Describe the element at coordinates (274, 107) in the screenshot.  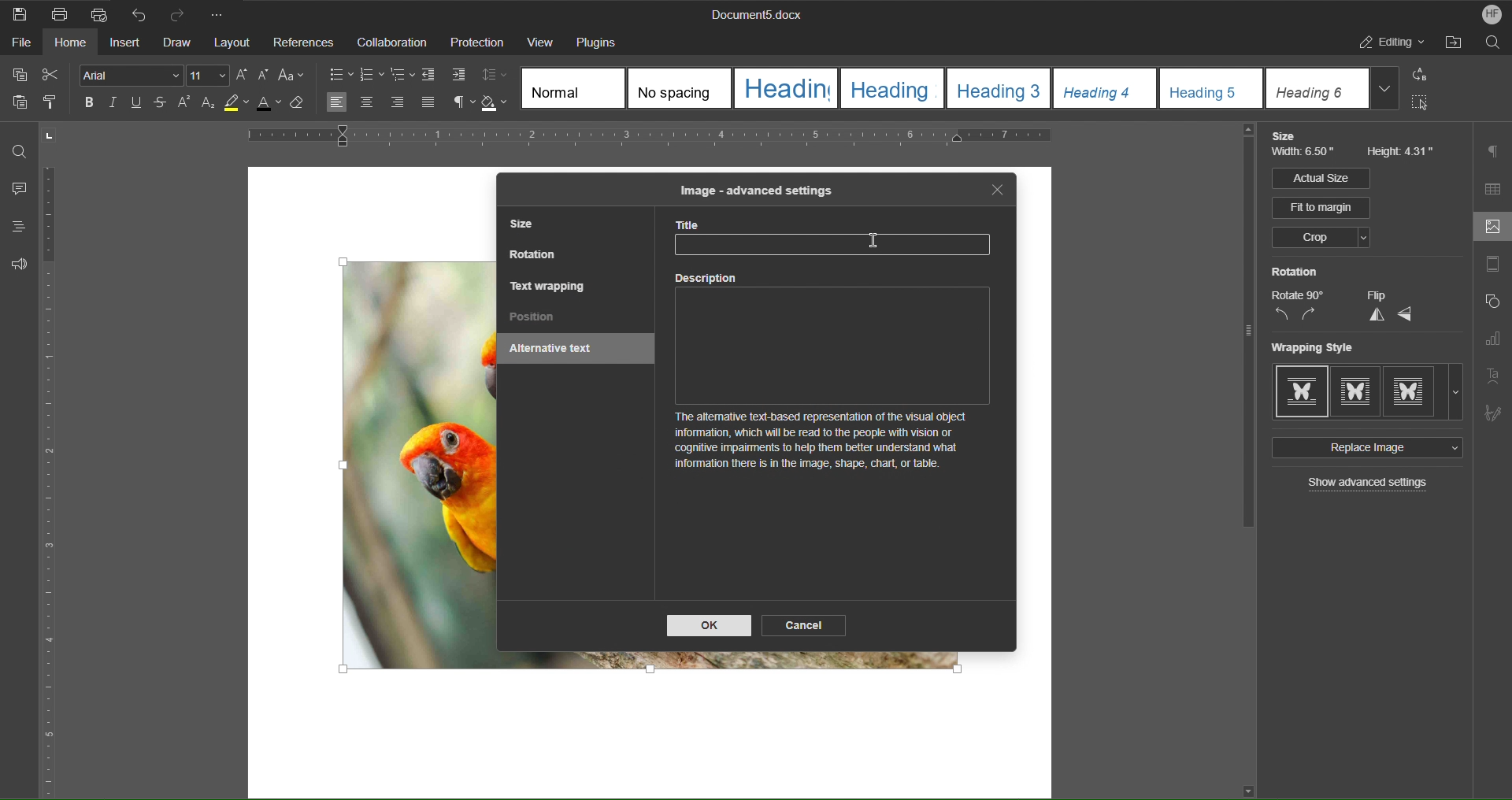
I see `Text Color` at that location.